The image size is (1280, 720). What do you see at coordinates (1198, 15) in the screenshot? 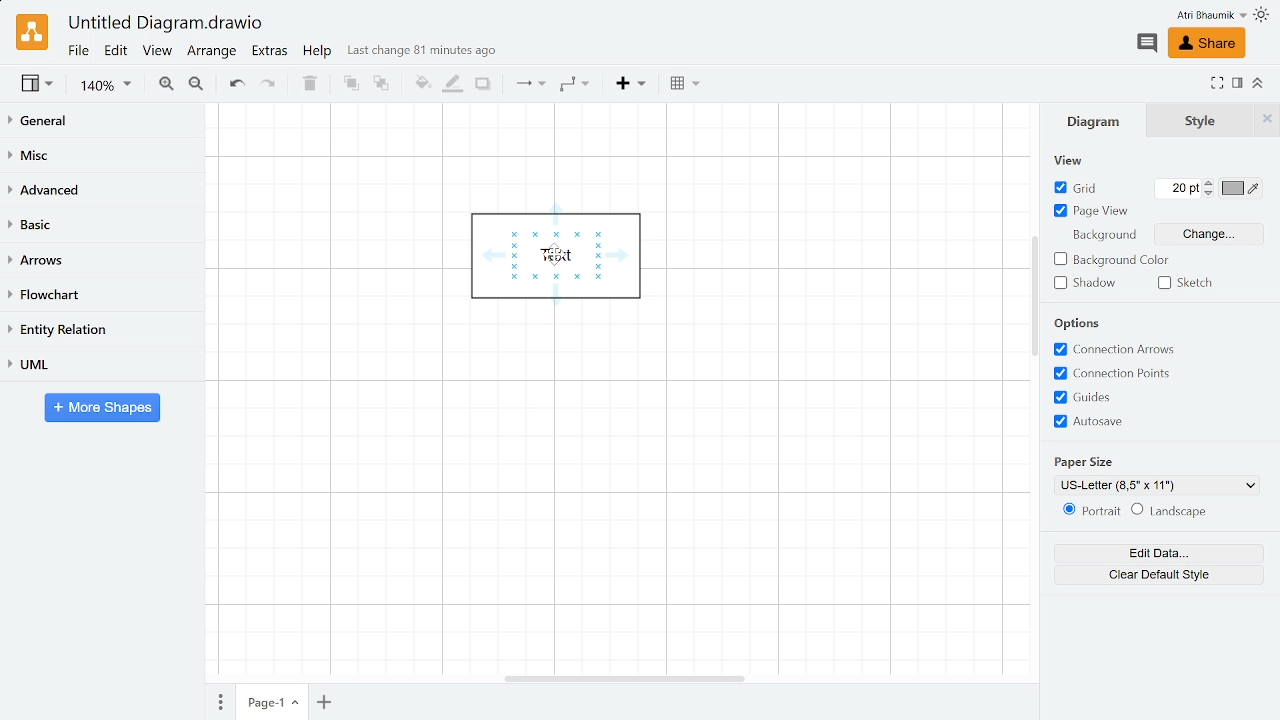
I see `Profile` at bounding box center [1198, 15].